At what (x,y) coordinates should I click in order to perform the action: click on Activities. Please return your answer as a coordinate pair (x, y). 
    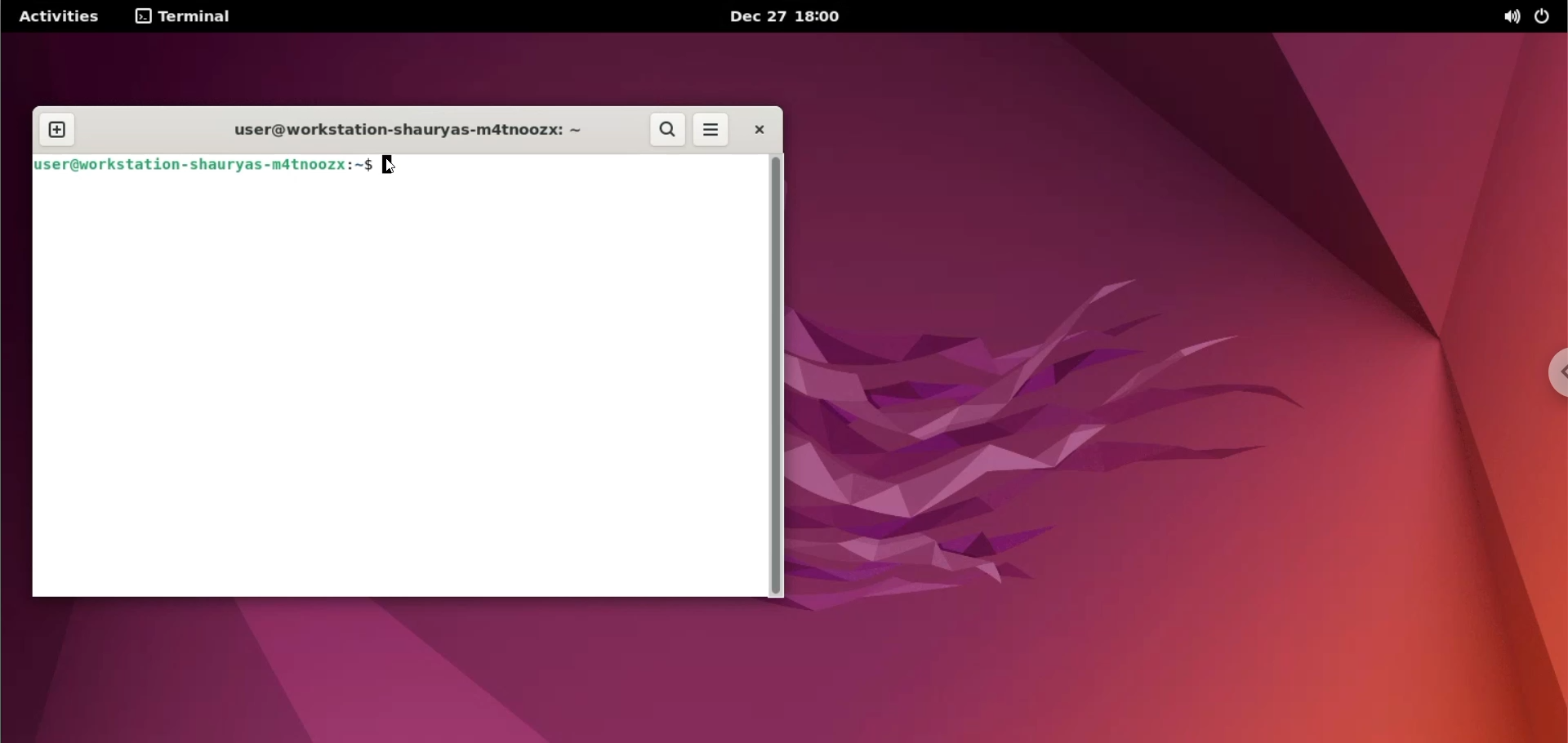
    Looking at the image, I should click on (60, 16).